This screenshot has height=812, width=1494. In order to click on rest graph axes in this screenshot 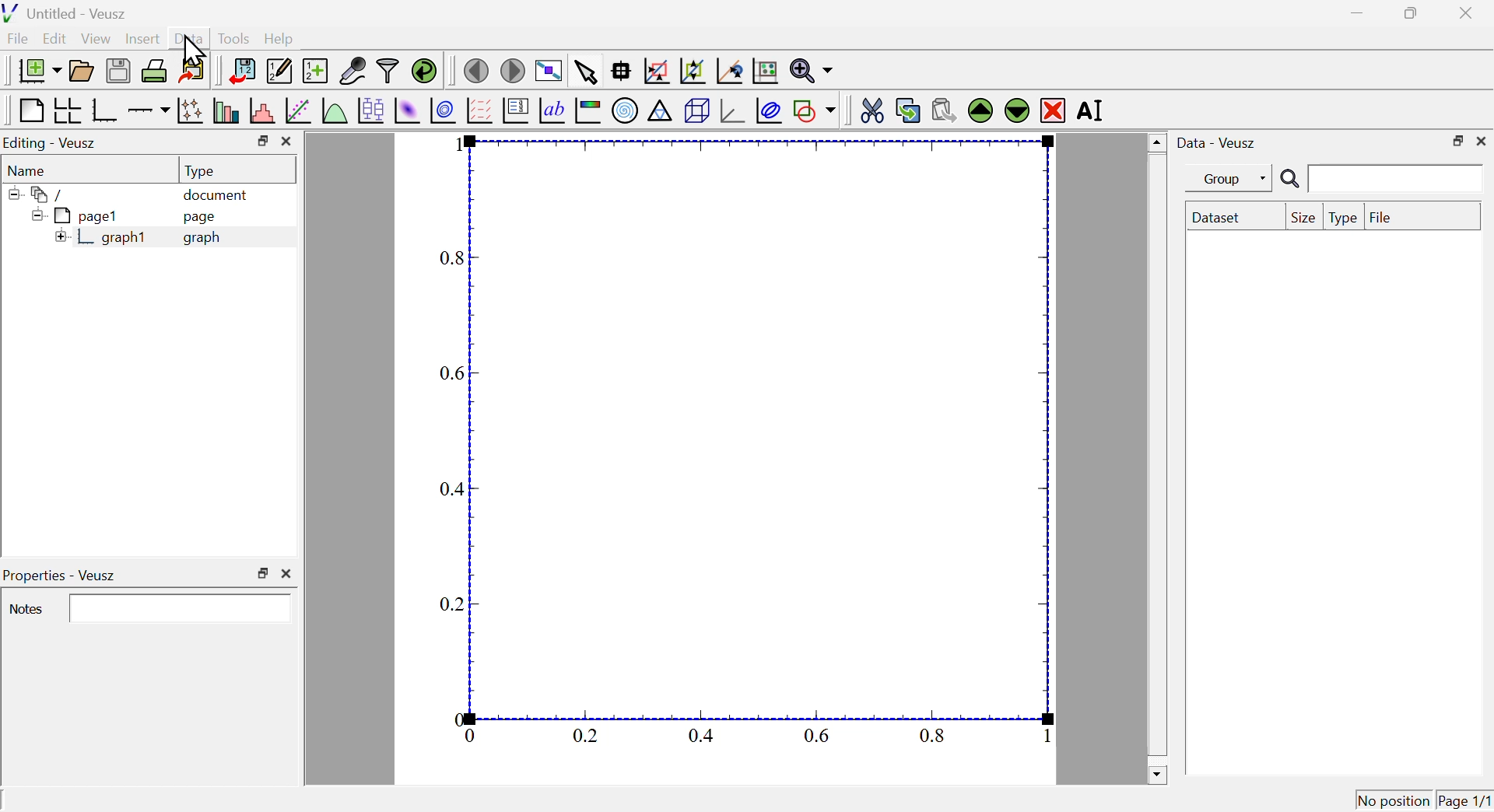, I will do `click(763, 72)`.